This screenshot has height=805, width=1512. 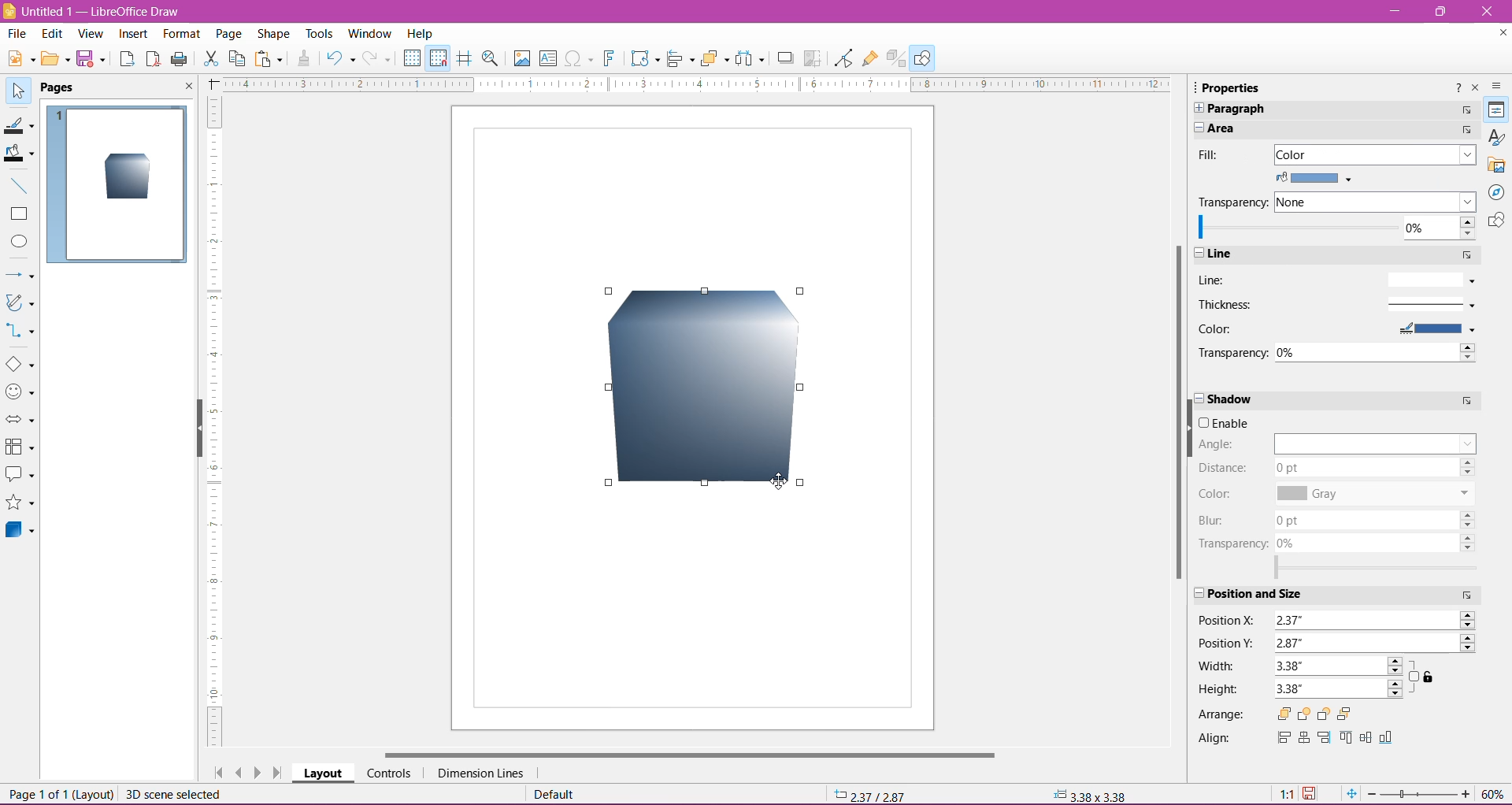 I want to click on Properties, so click(x=1228, y=87).